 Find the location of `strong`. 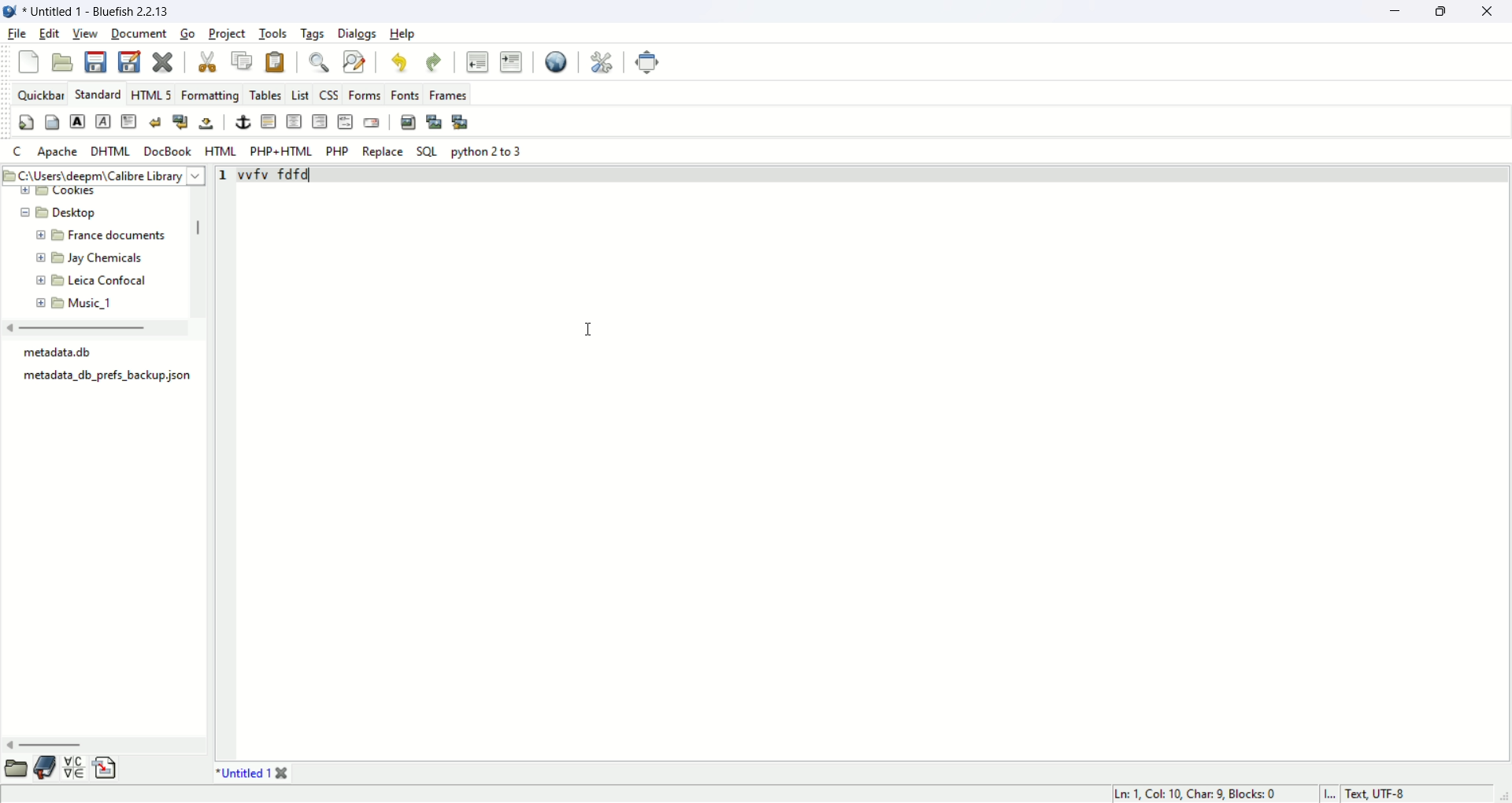

strong is located at coordinates (76, 120).